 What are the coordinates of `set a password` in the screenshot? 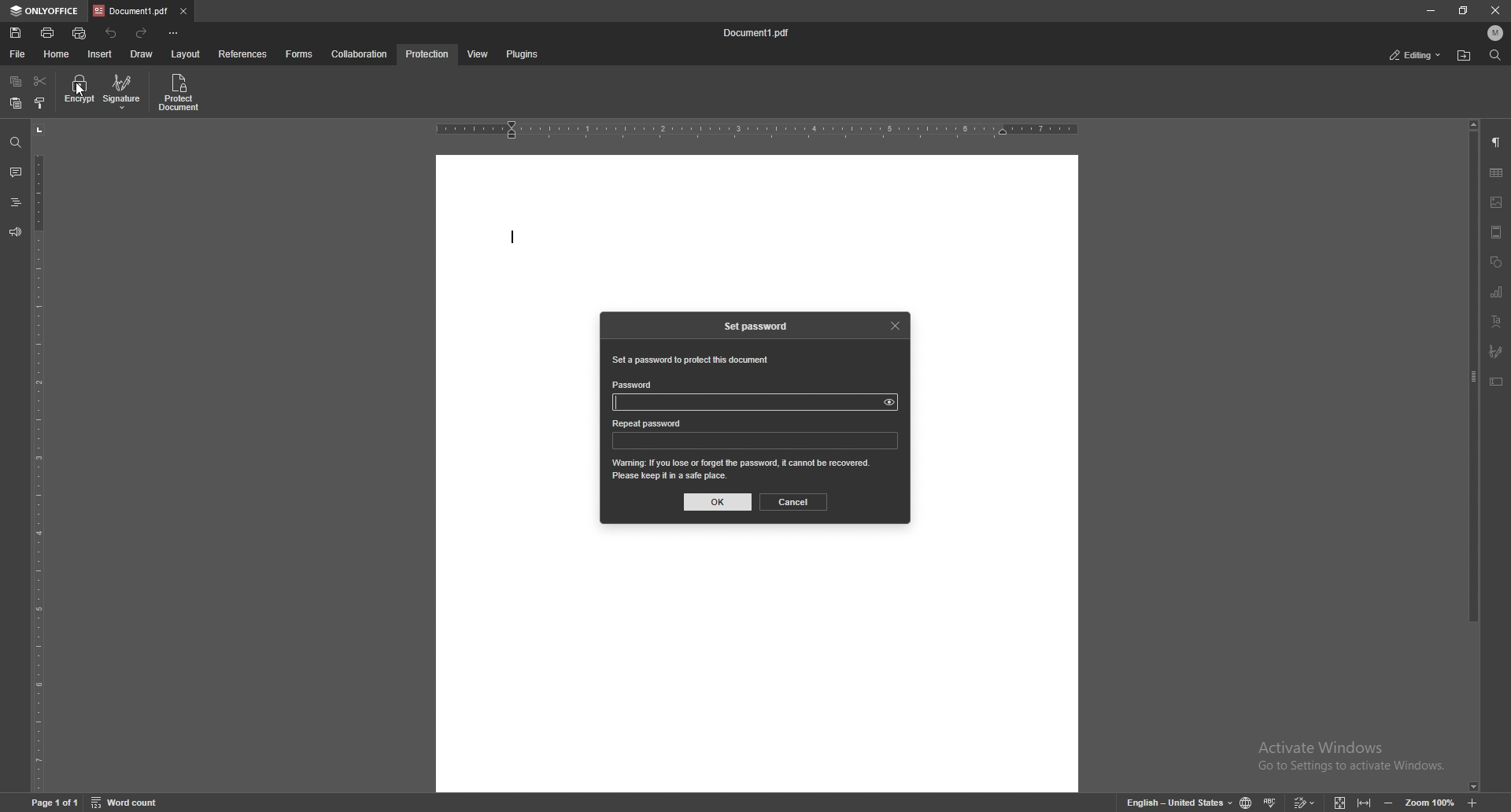 It's located at (690, 360).